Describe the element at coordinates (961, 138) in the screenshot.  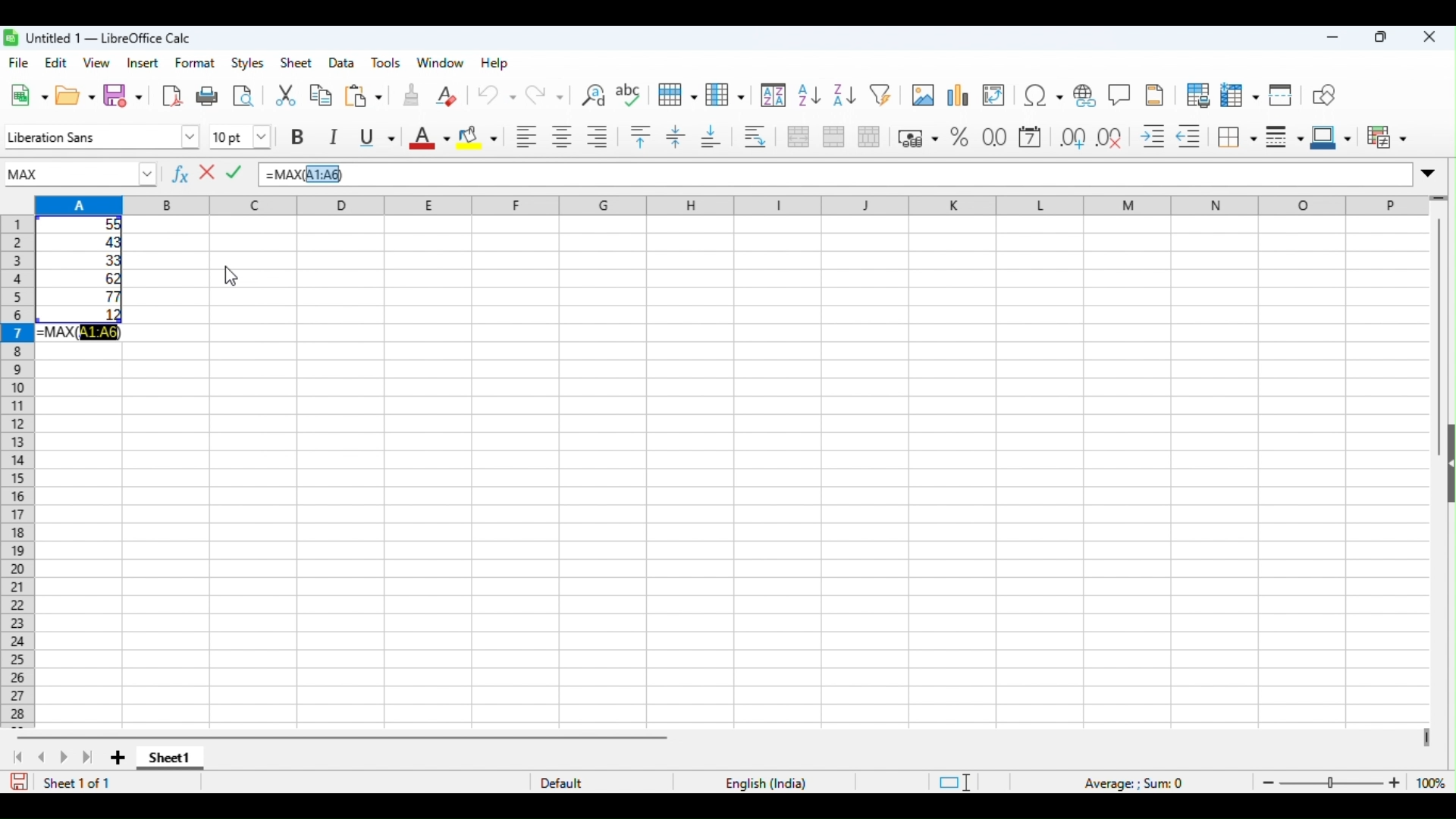
I see `format as percentage` at that location.